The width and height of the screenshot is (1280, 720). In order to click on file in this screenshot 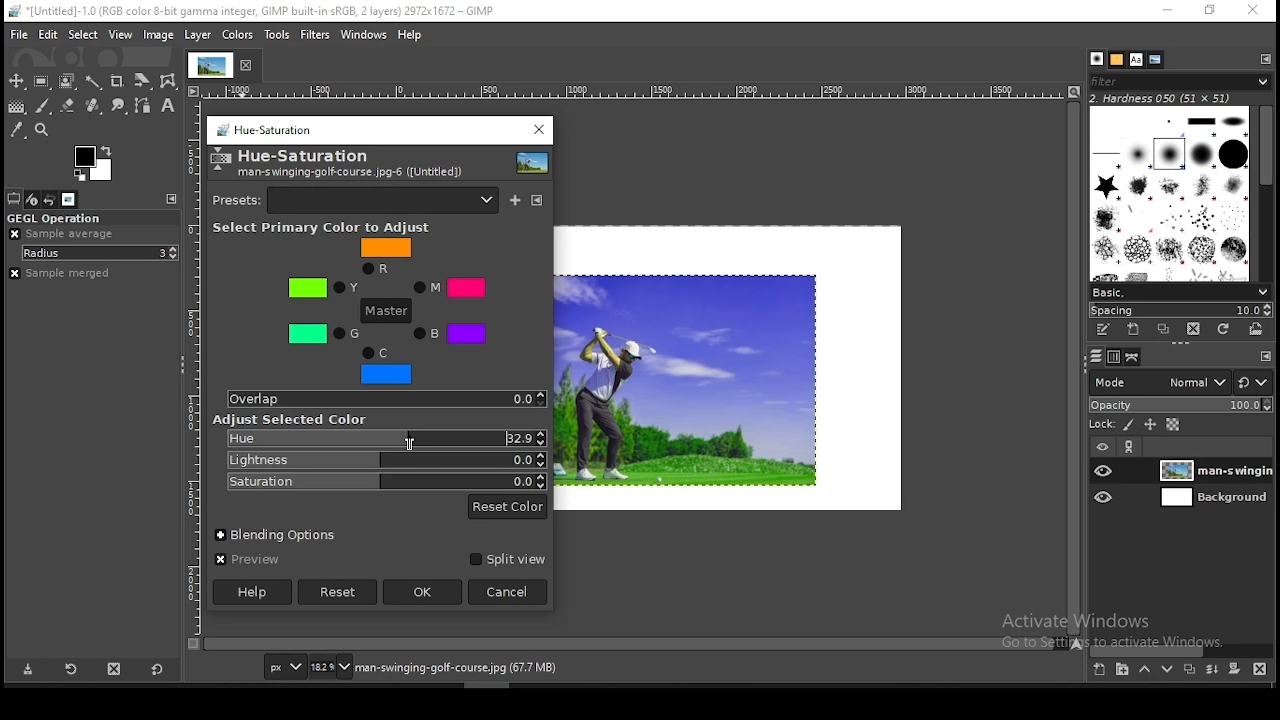, I will do `click(20, 33)`.